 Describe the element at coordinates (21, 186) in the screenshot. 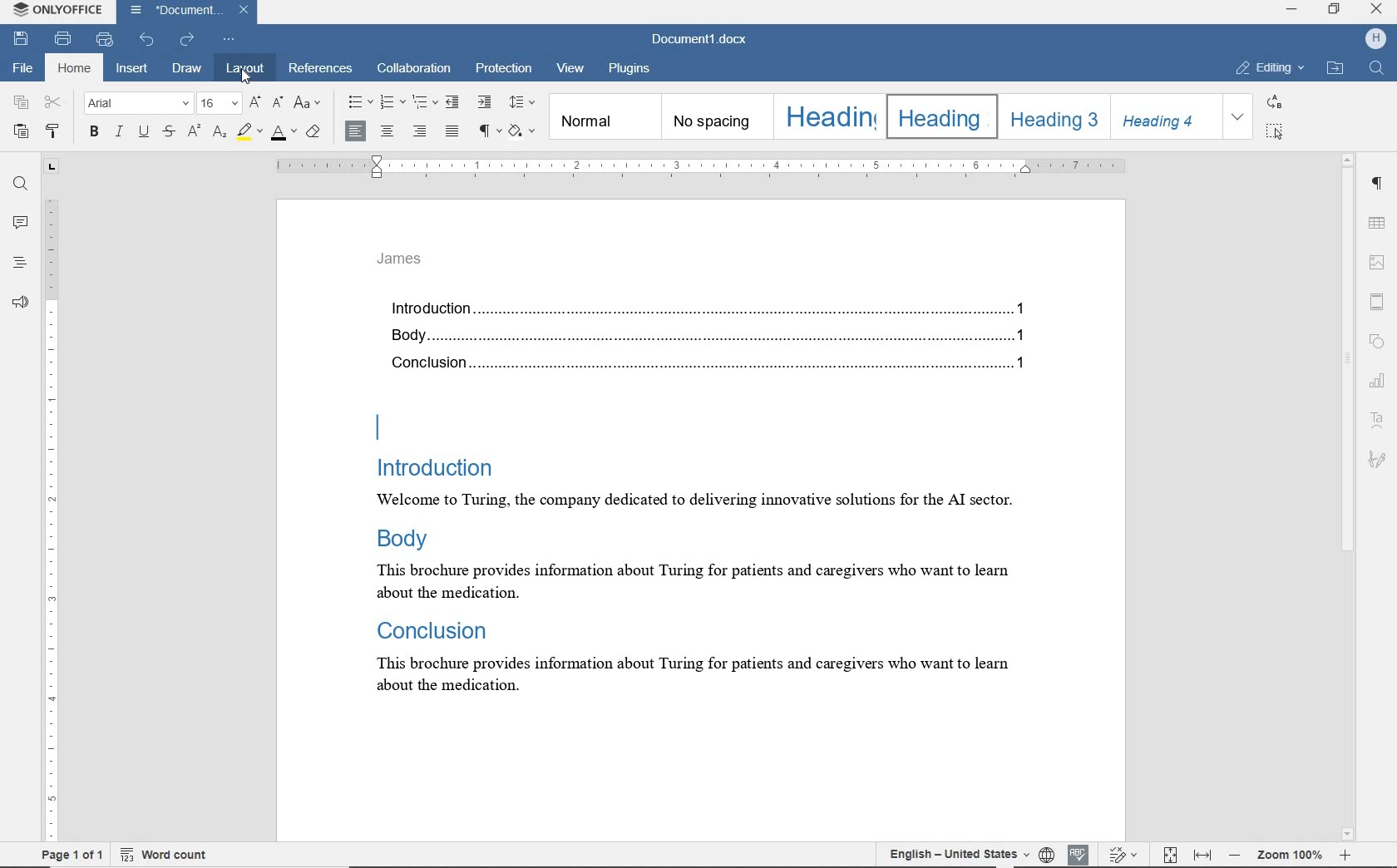

I see `find` at that location.